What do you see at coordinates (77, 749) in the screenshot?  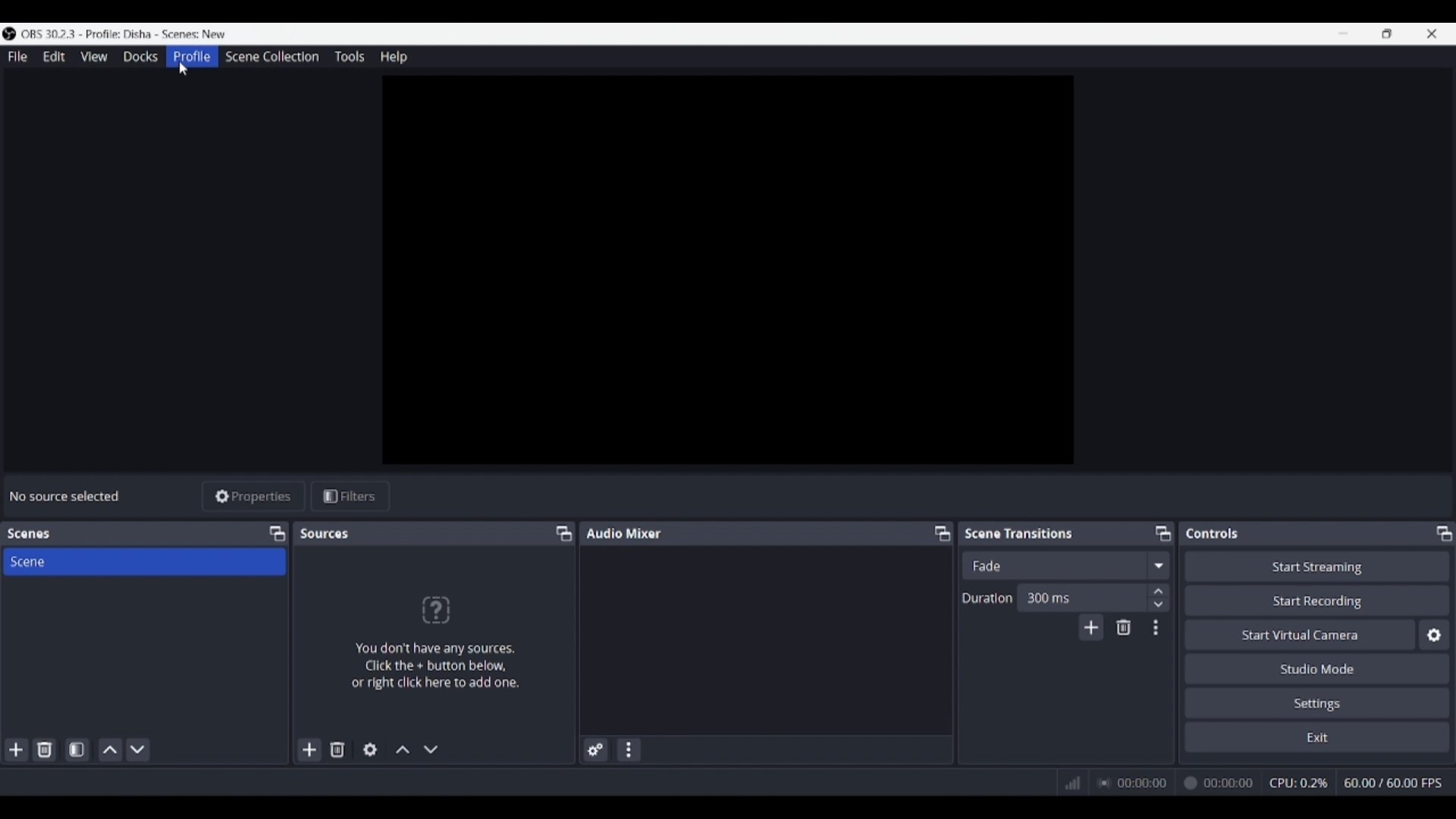 I see `Open scene filters` at bounding box center [77, 749].